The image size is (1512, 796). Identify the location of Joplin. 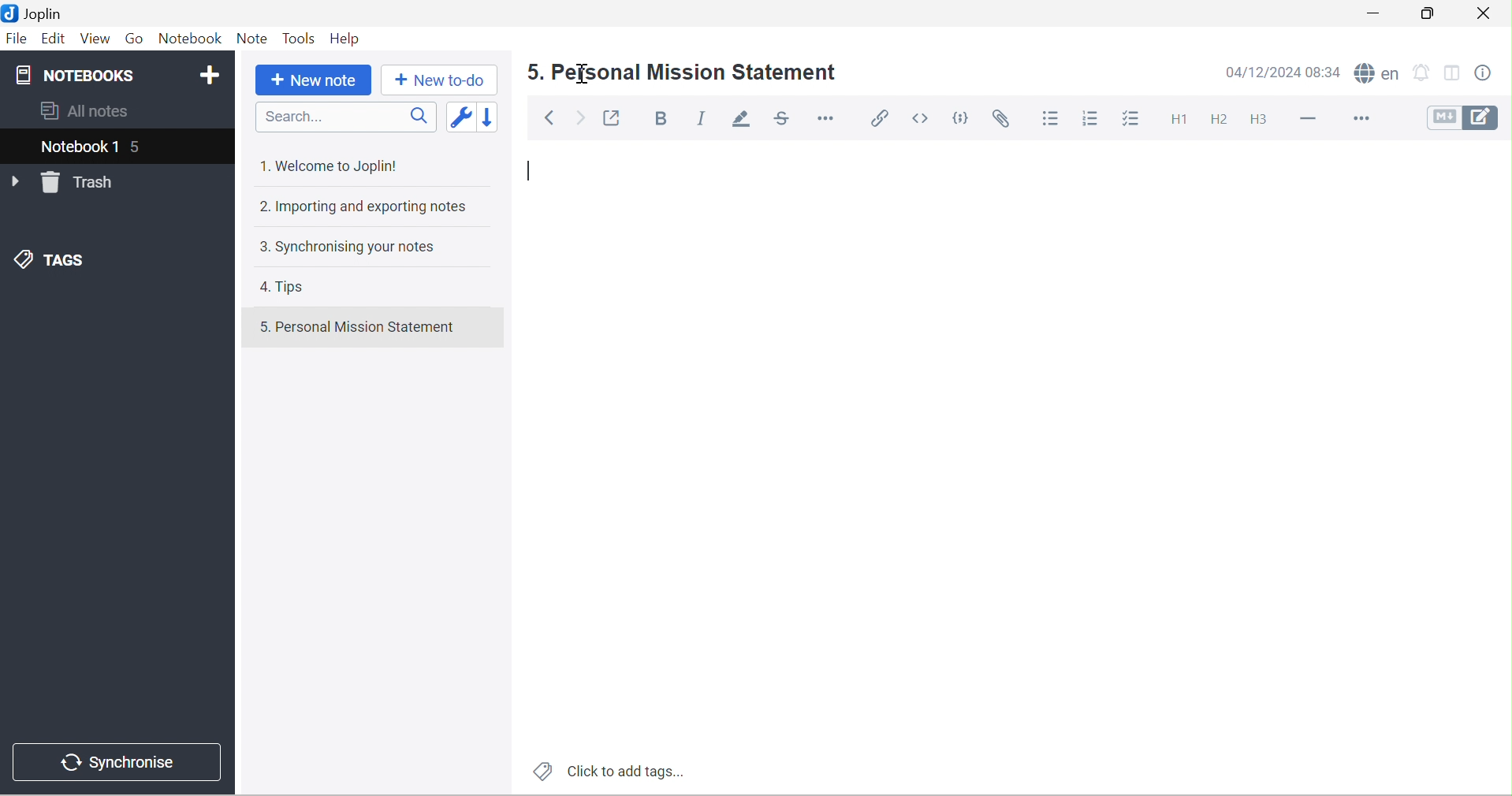
(35, 13).